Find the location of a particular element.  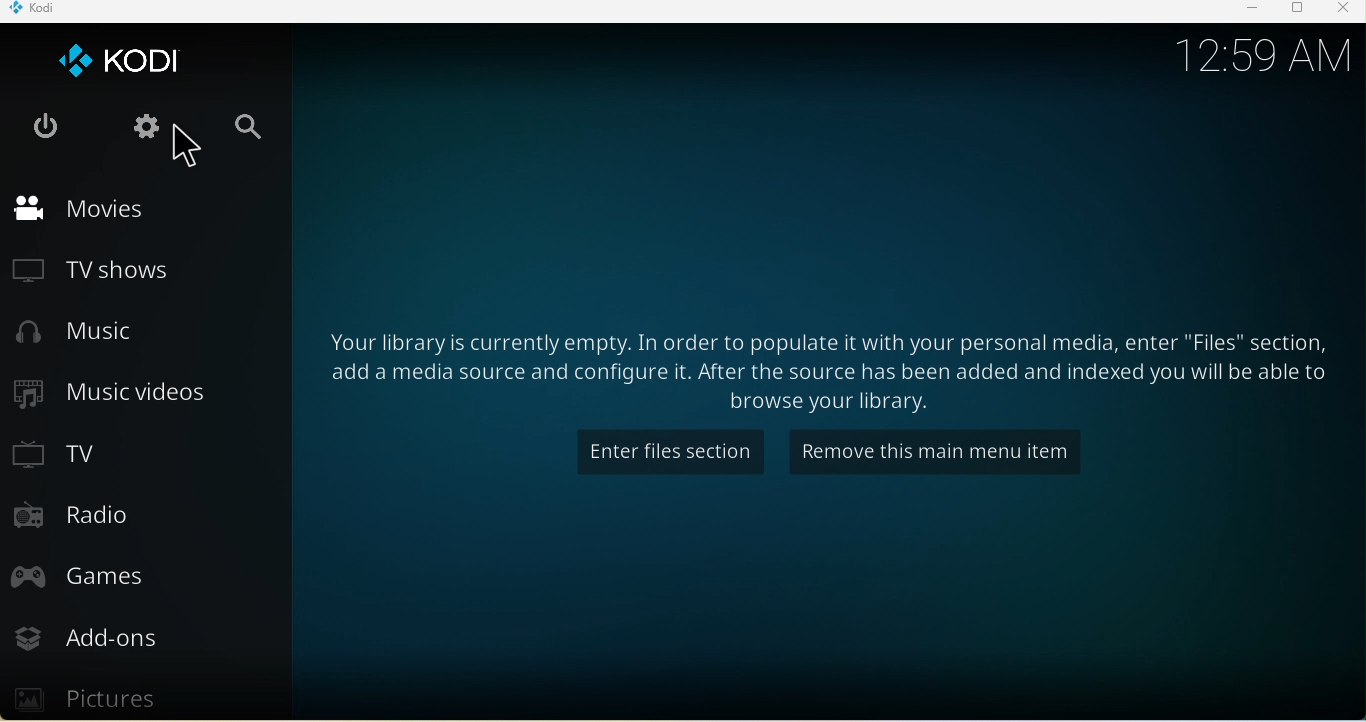

Games is located at coordinates (92, 576).